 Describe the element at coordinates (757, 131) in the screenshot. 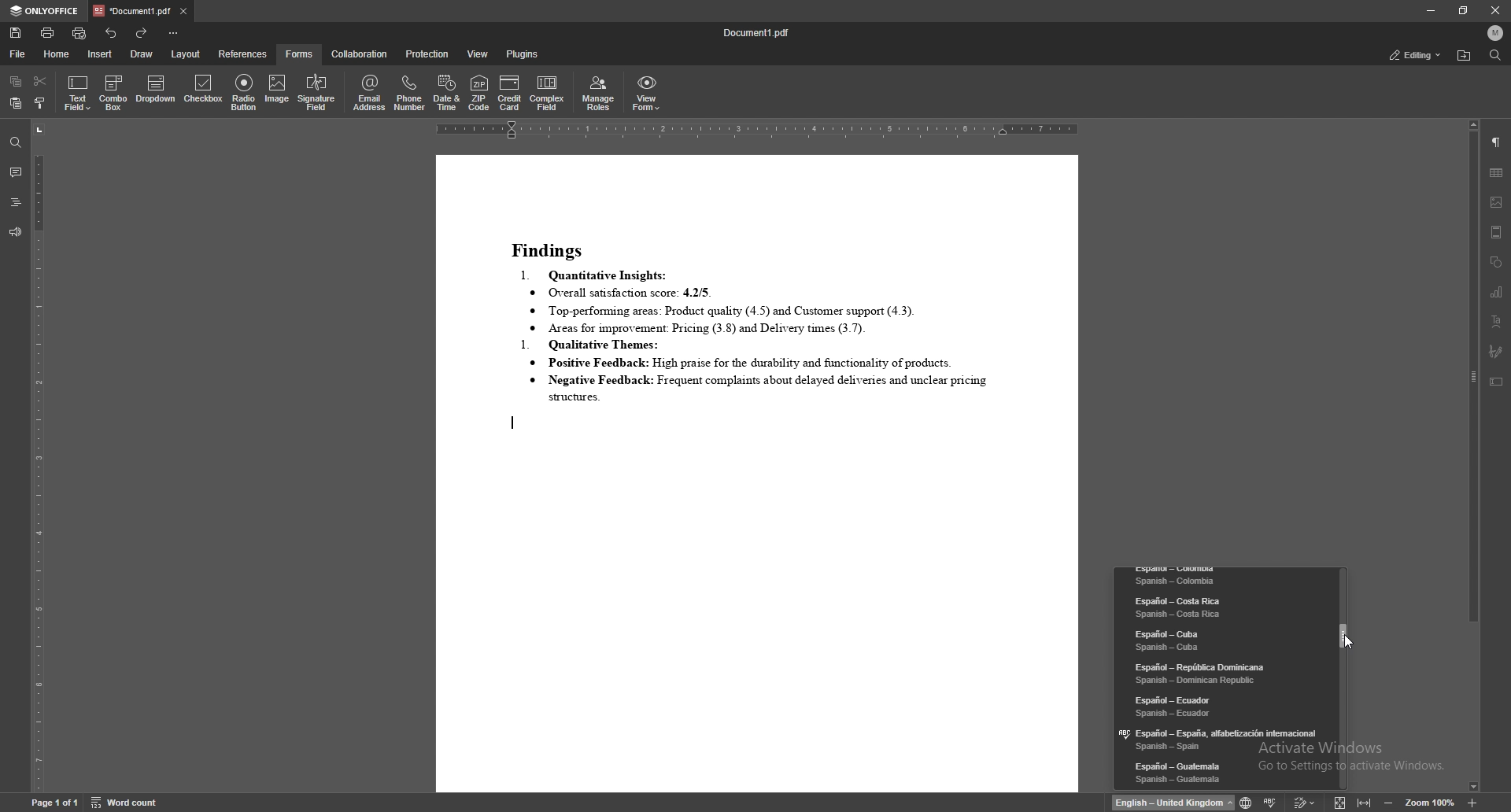

I see `horizontal scale` at that location.